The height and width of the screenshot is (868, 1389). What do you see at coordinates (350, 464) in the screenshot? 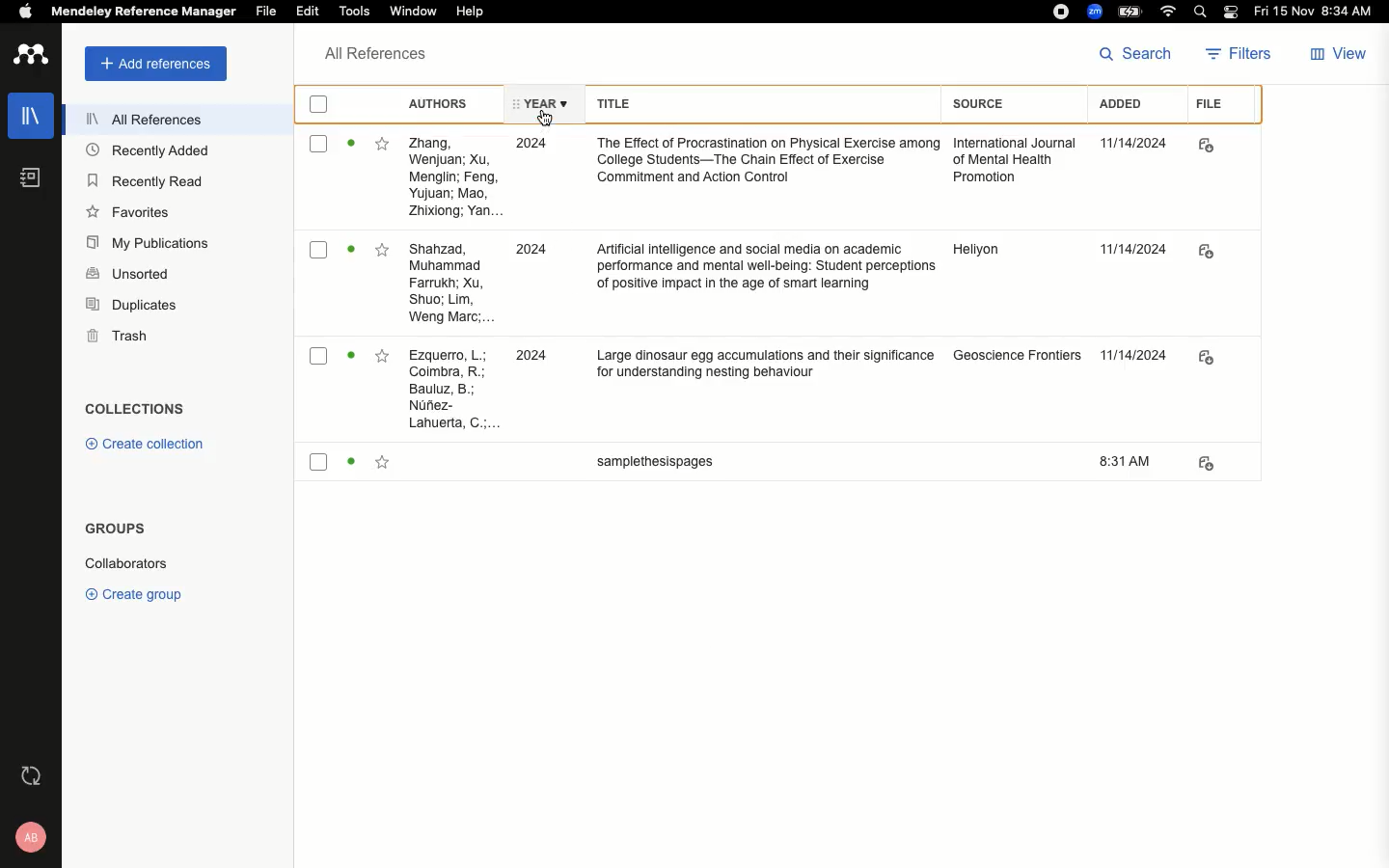
I see `view status` at bounding box center [350, 464].